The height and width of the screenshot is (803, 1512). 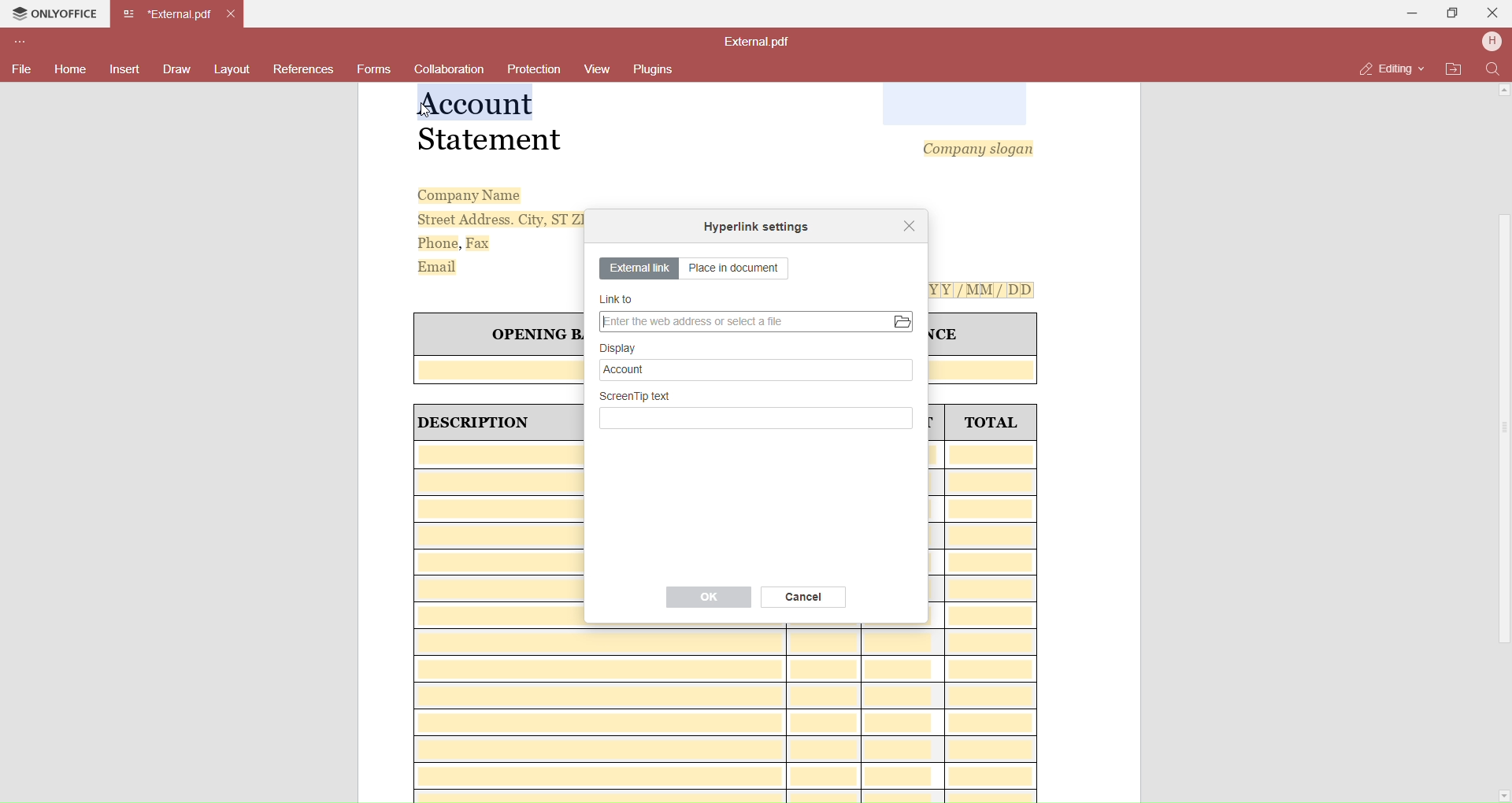 What do you see at coordinates (1407, 16) in the screenshot?
I see `Minimize` at bounding box center [1407, 16].